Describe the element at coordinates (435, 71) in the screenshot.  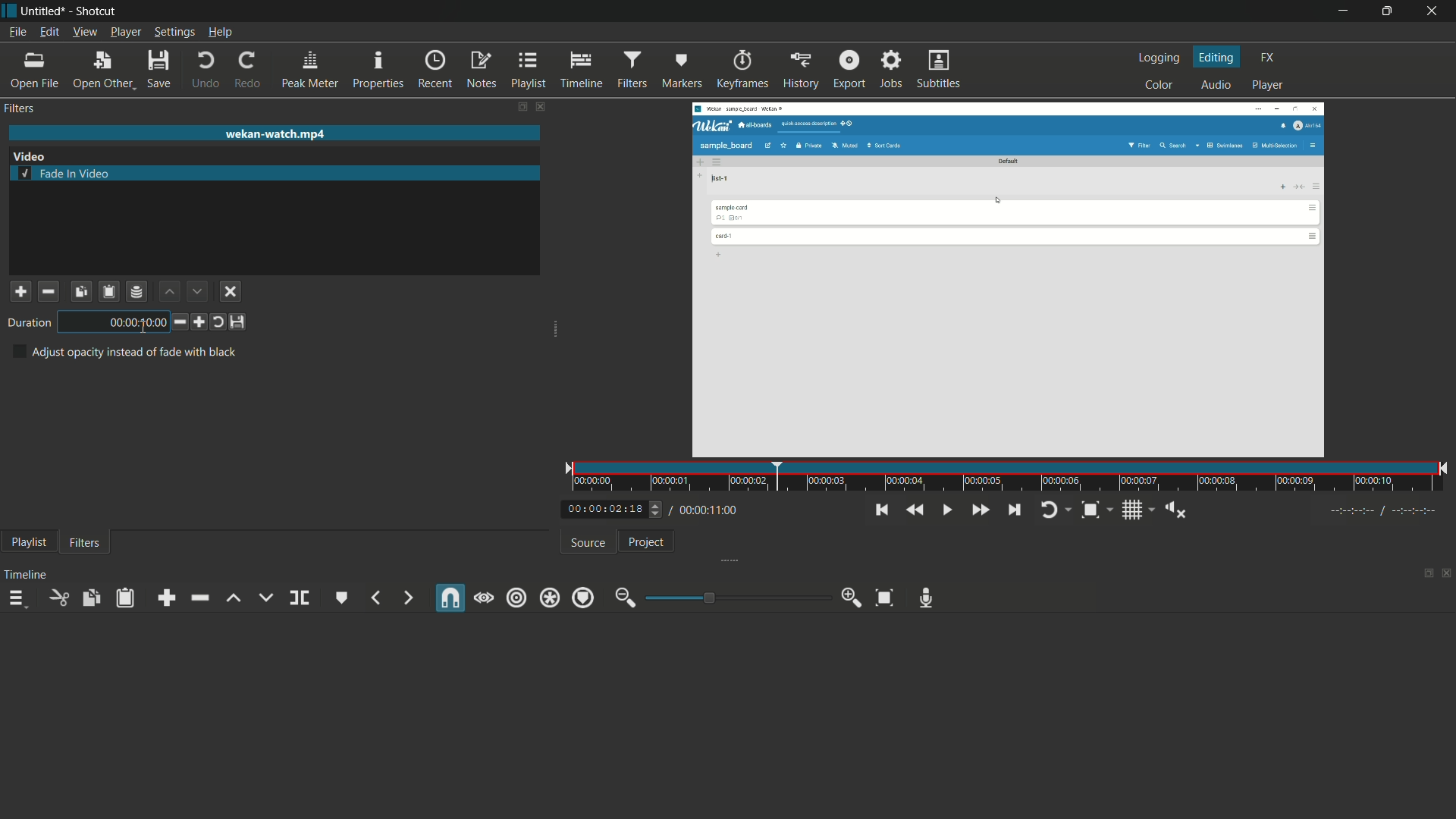
I see `recent` at that location.